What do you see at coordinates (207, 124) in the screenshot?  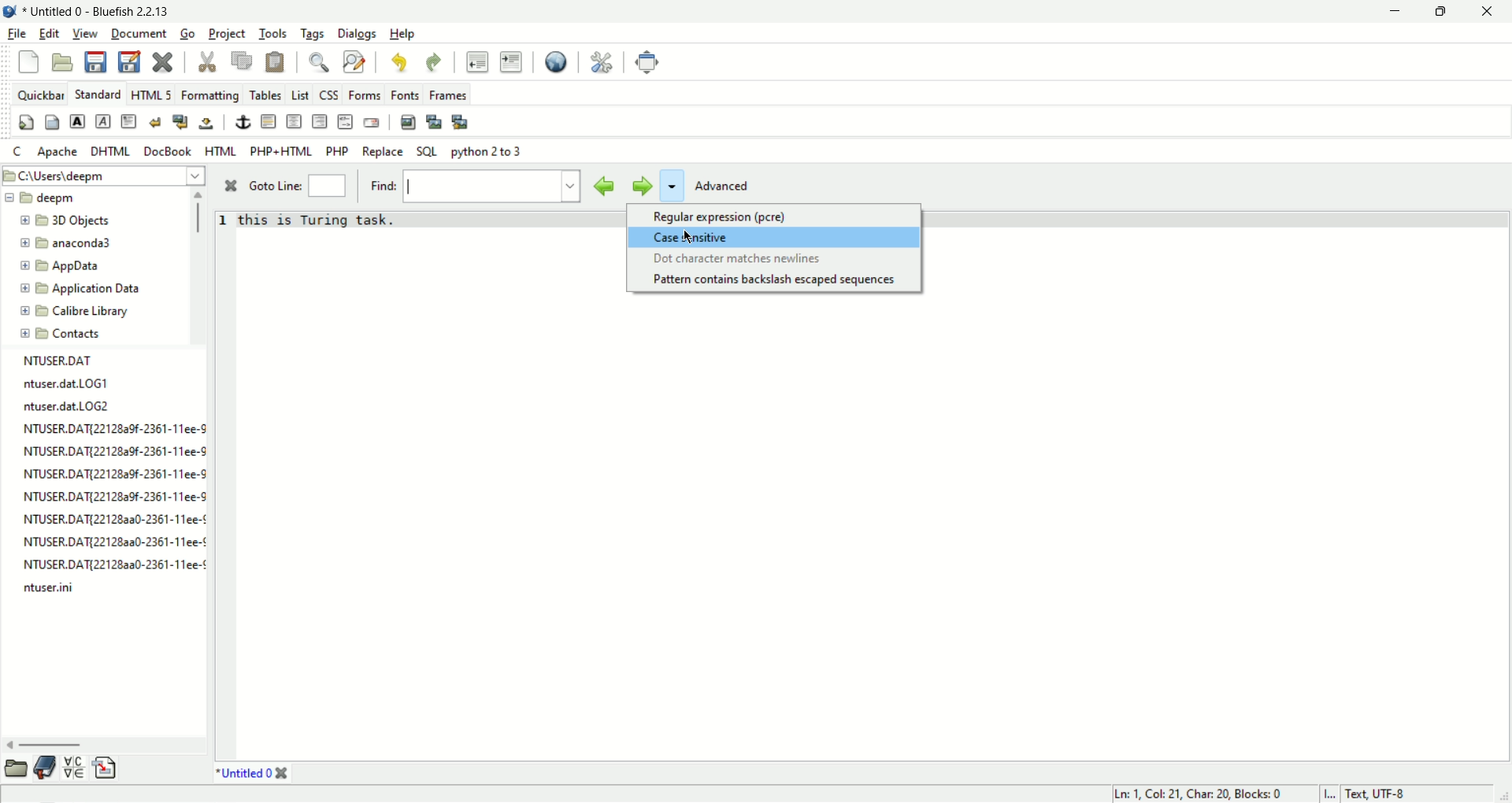 I see `non breaking space` at bounding box center [207, 124].